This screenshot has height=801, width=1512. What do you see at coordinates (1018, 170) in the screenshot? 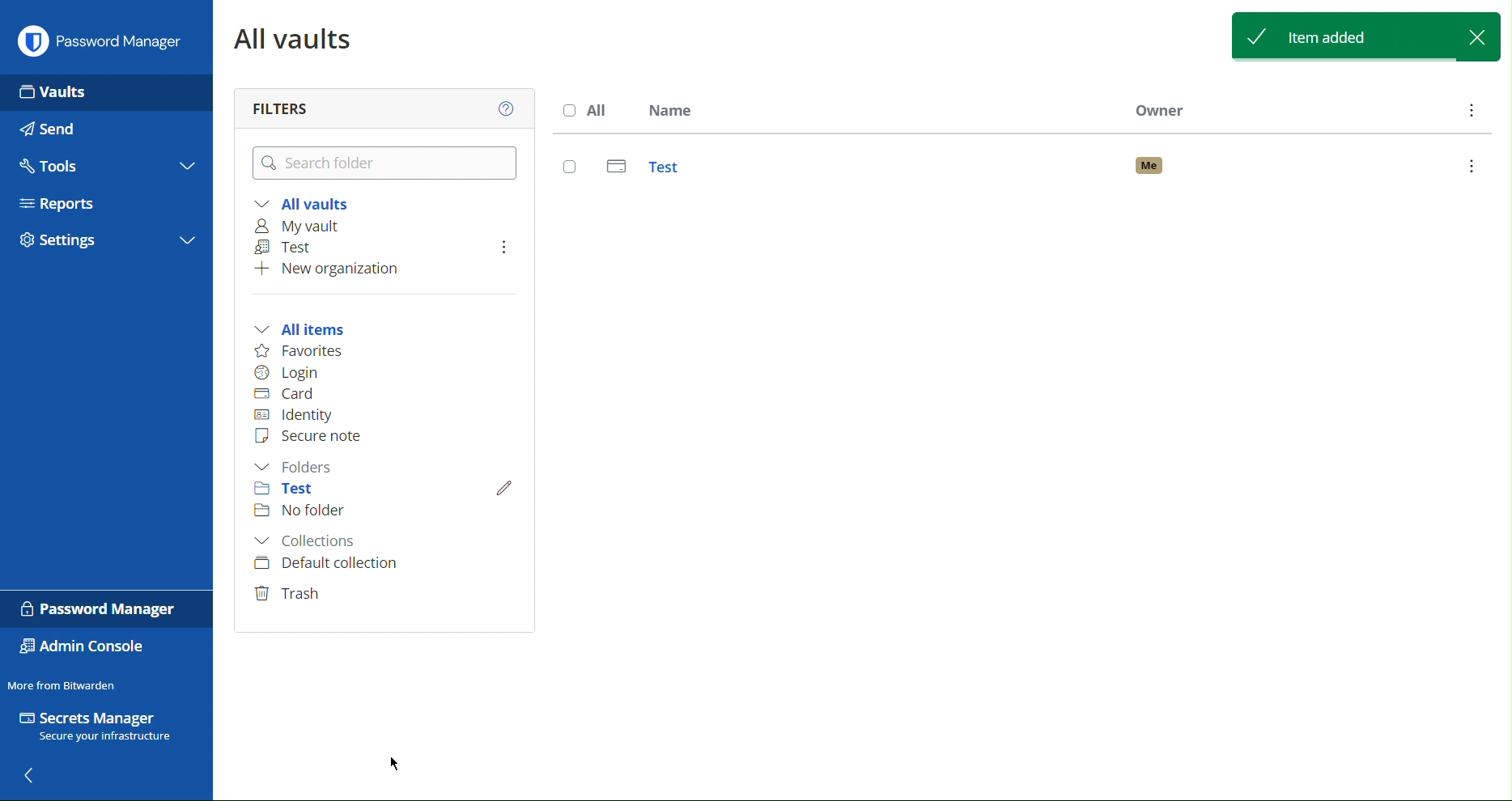
I see `Test` at bounding box center [1018, 170].